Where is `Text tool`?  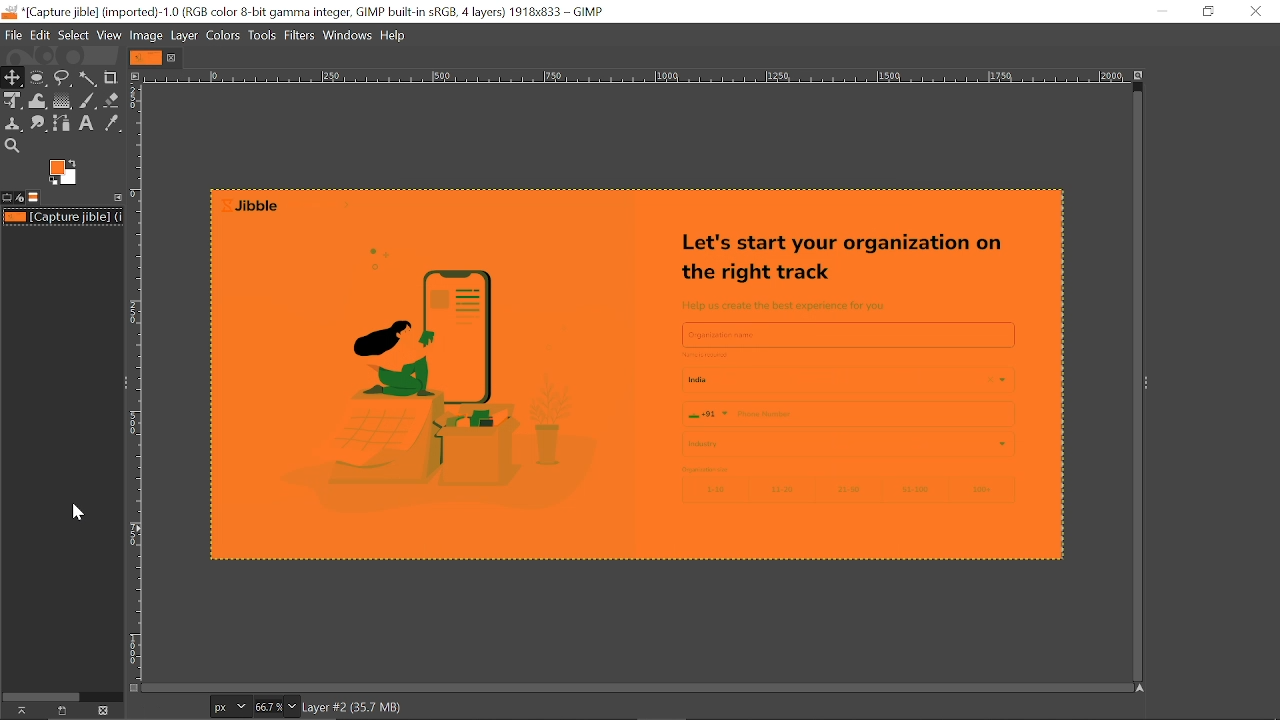
Text tool is located at coordinates (88, 124).